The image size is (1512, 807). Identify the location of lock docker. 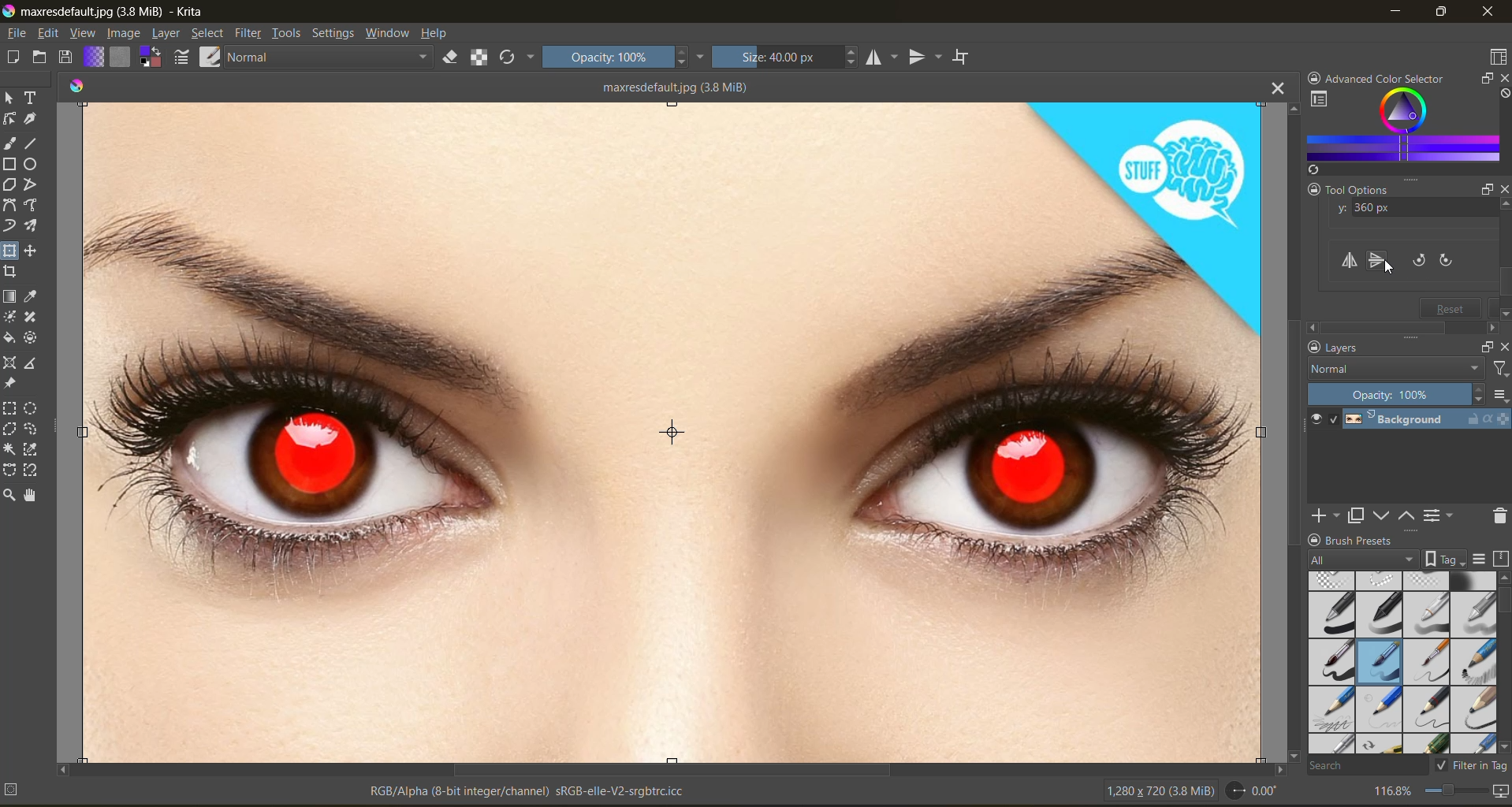
(1316, 79).